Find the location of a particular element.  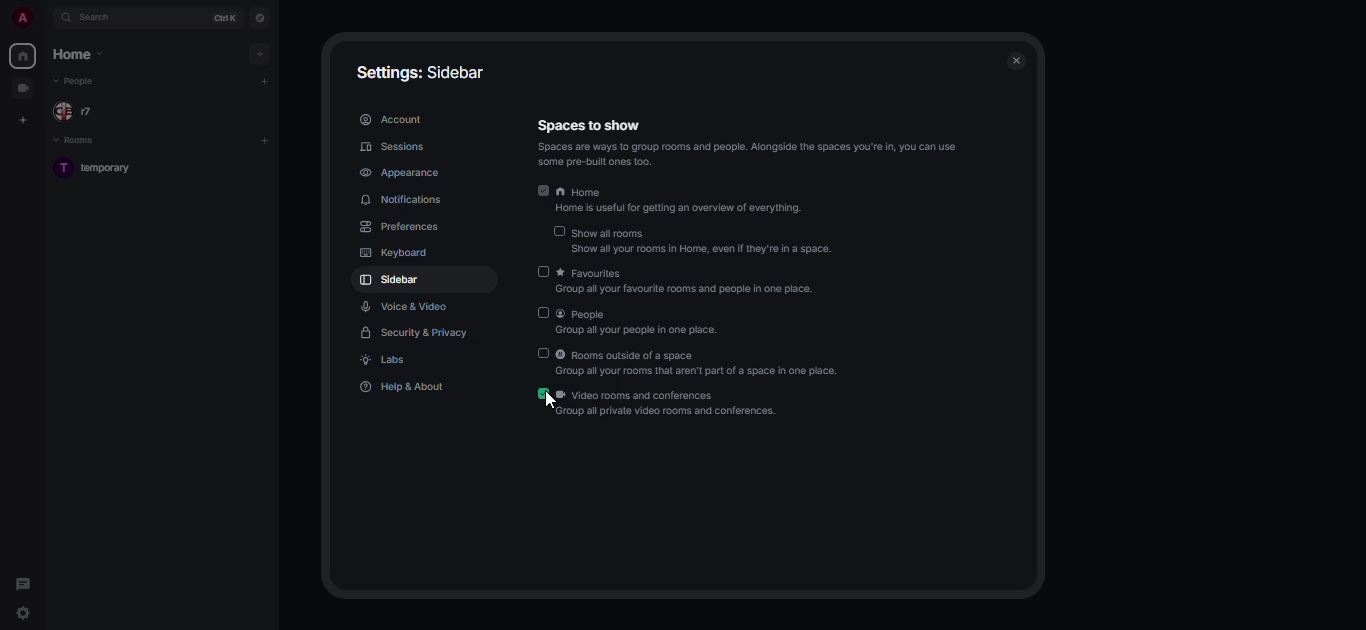

Show all your rooms in Home, even il they're in a space. is located at coordinates (705, 248).